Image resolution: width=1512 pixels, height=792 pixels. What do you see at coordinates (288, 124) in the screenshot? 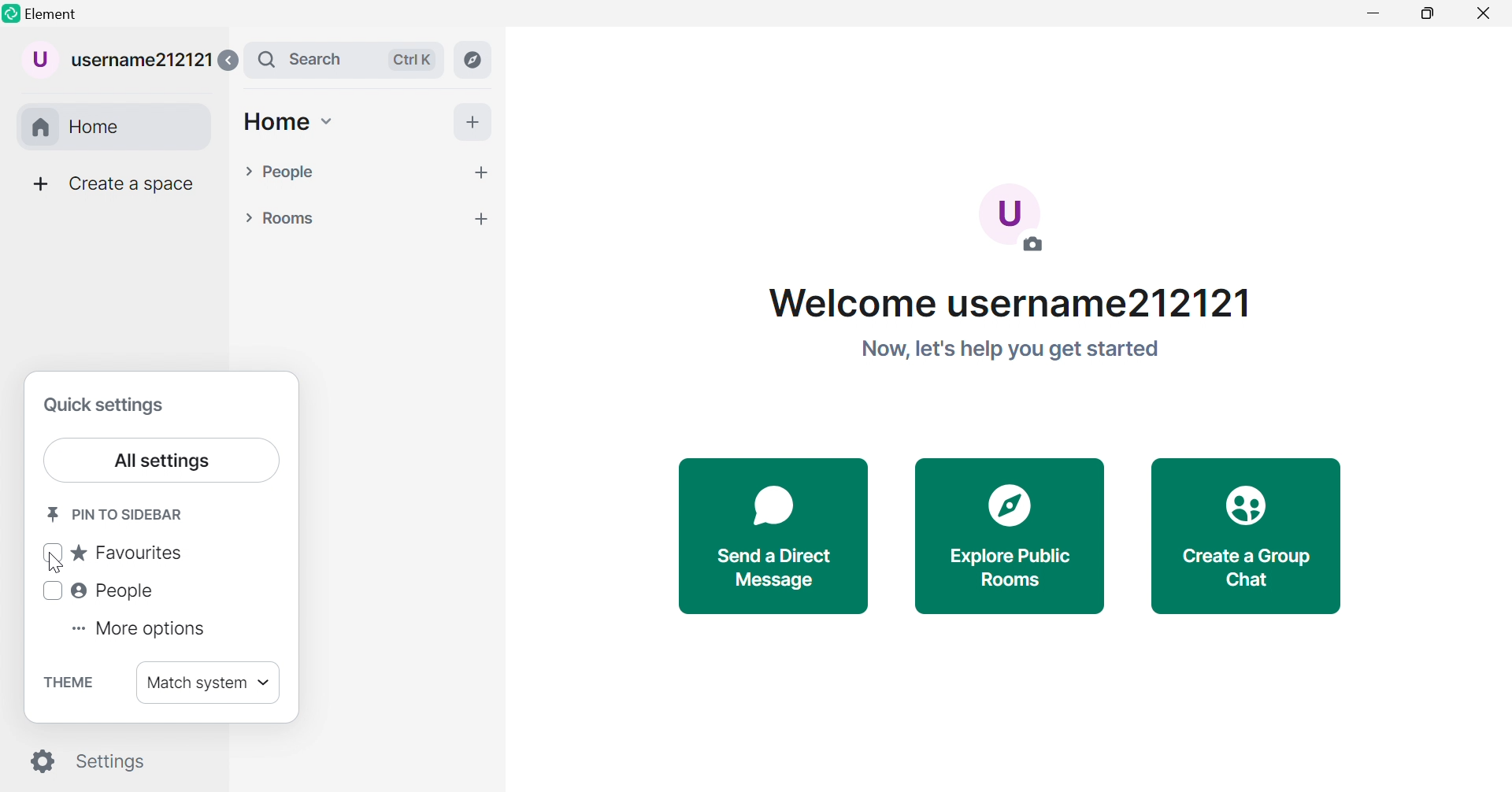
I see `Home` at bounding box center [288, 124].